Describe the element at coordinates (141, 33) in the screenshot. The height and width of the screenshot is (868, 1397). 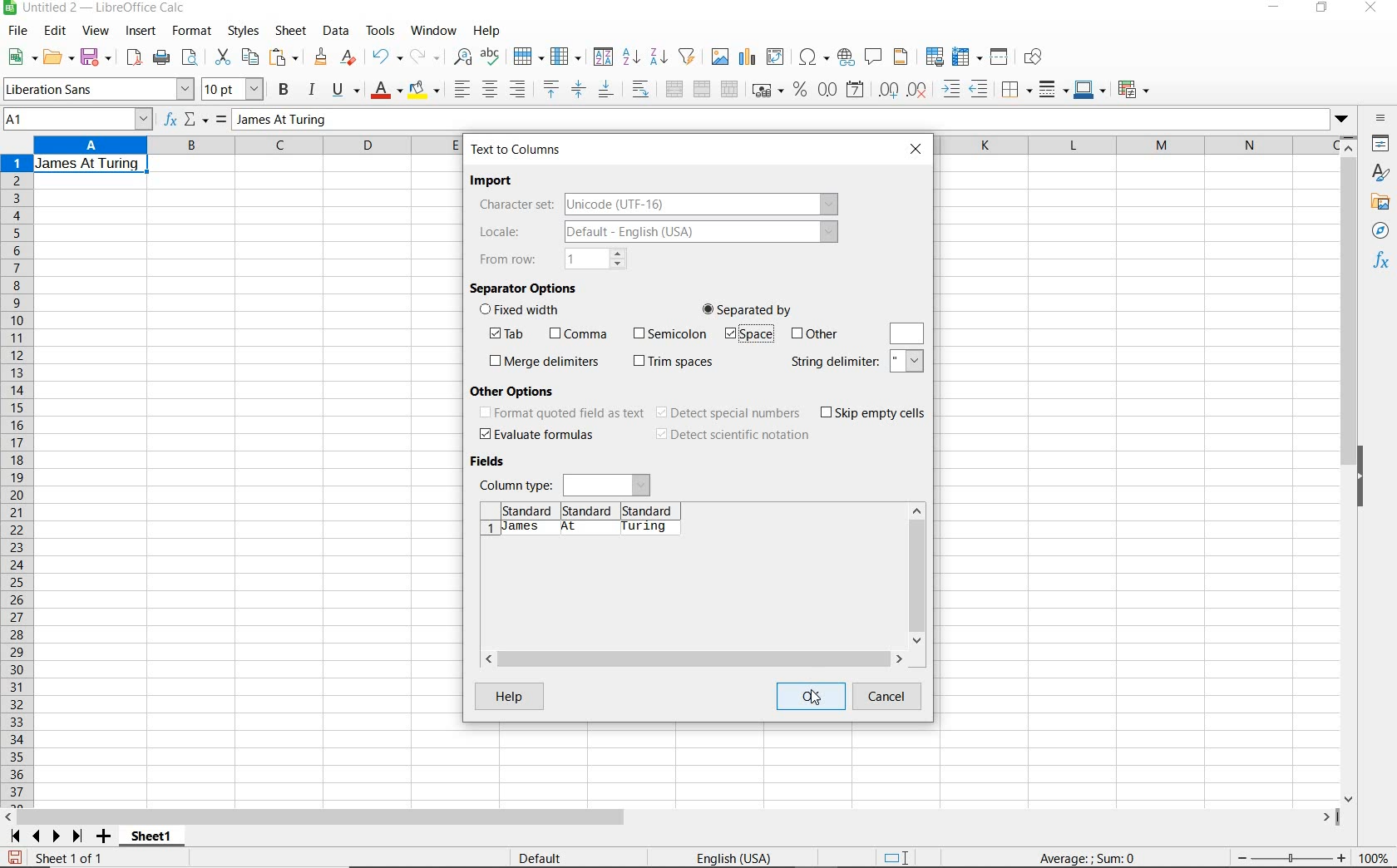
I see `insert` at that location.